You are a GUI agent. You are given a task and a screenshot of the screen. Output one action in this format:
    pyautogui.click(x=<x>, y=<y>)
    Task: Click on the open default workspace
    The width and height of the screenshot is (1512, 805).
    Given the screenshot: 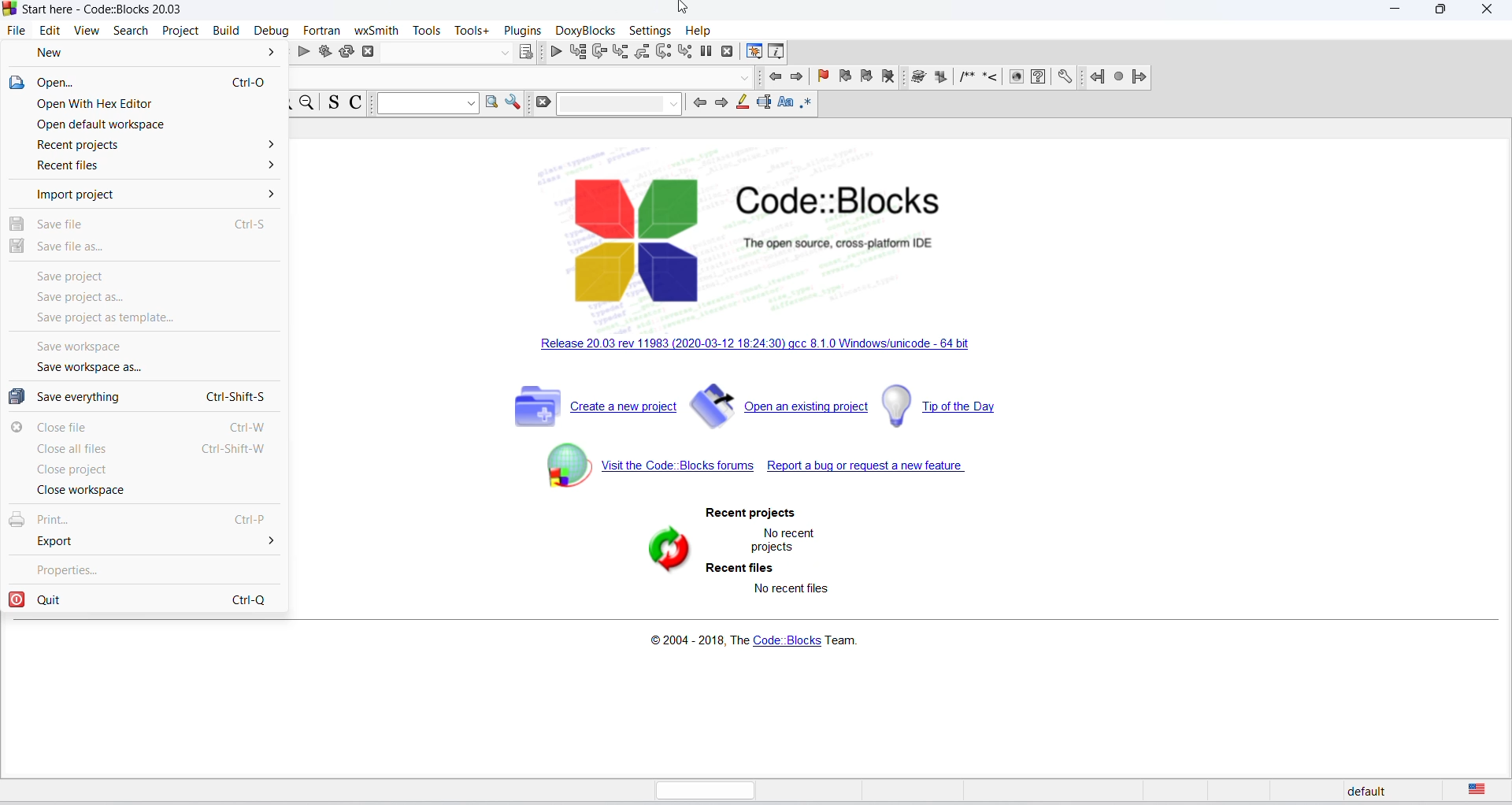 What is the action you would take?
    pyautogui.click(x=139, y=126)
    